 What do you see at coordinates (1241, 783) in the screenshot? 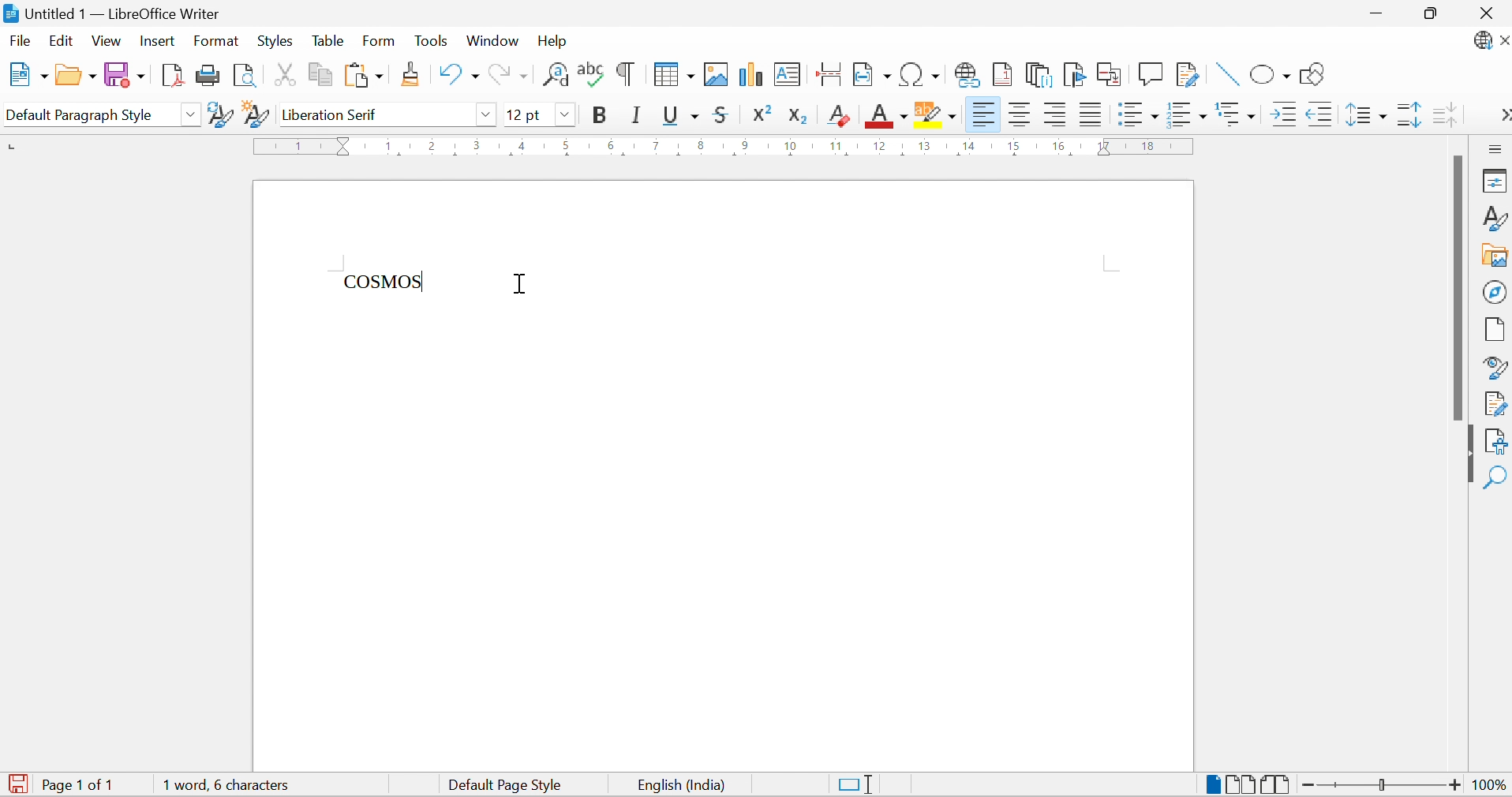
I see `Multiple Page View` at bounding box center [1241, 783].